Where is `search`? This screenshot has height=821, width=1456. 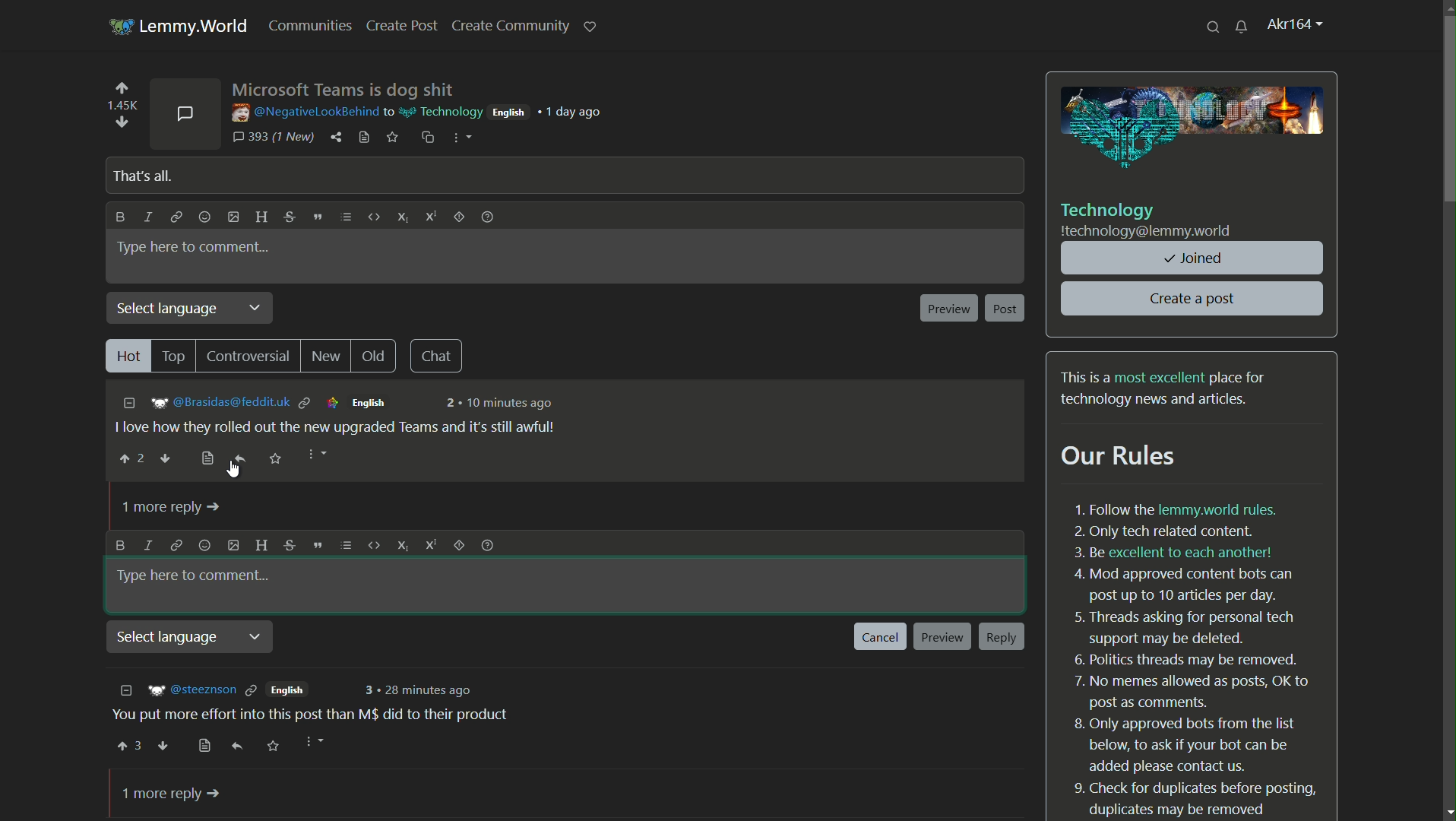 search is located at coordinates (1214, 26).